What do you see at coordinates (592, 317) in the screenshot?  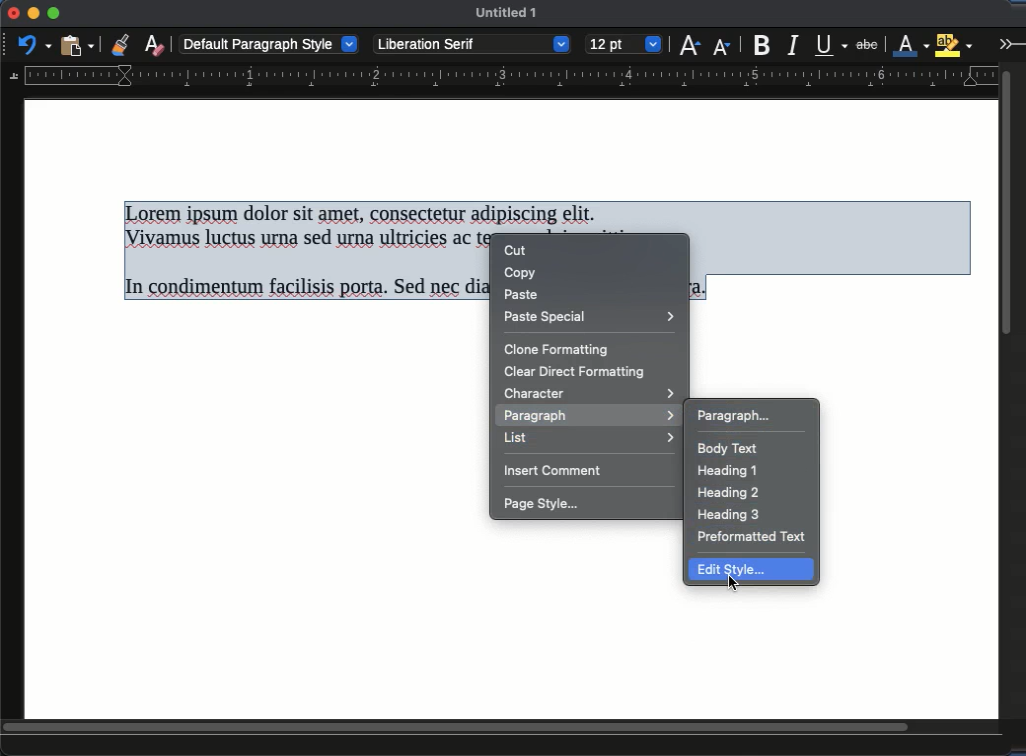 I see `paste special` at bounding box center [592, 317].